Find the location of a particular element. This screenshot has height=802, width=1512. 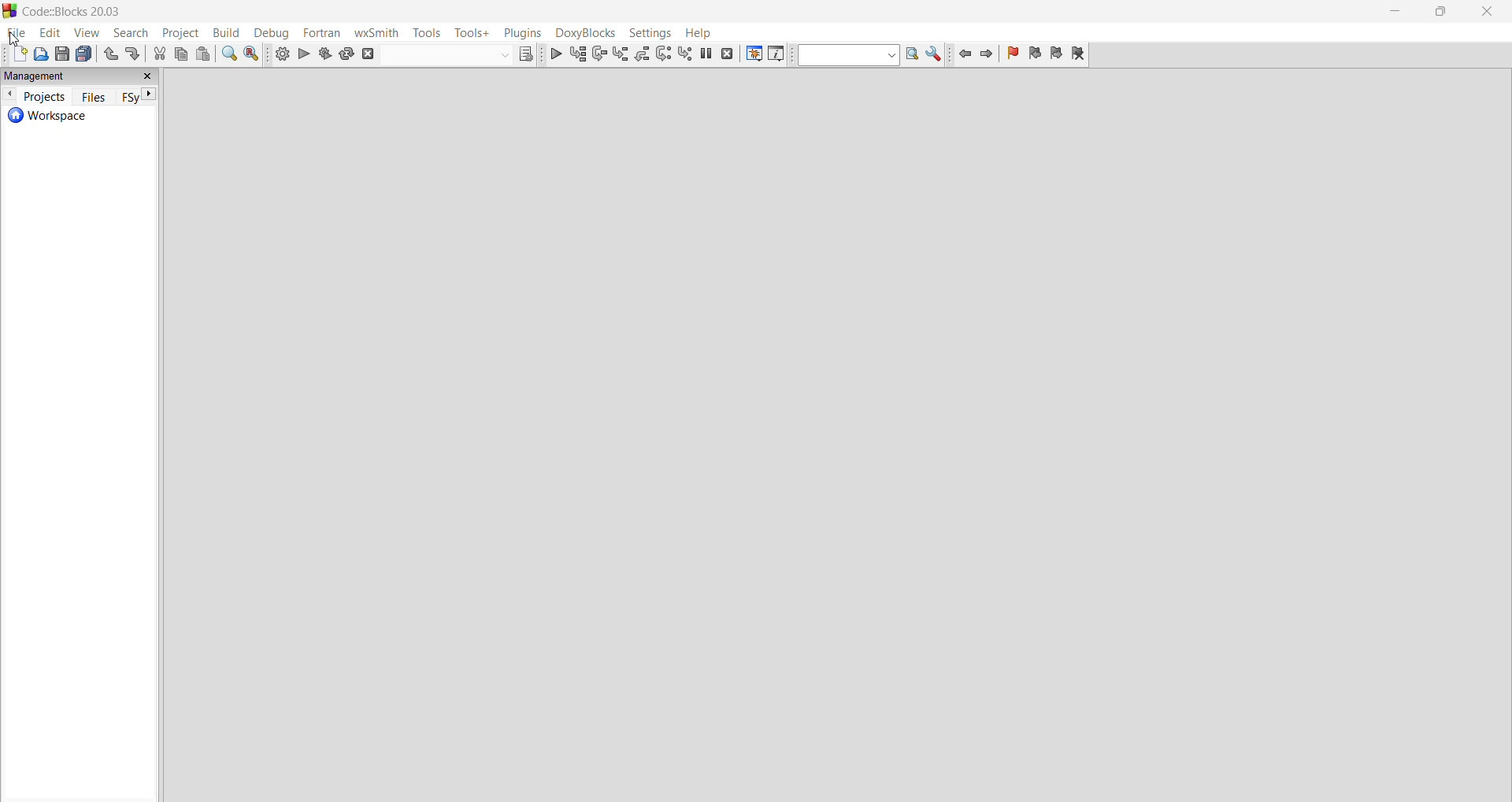

open is located at coordinates (41, 54).